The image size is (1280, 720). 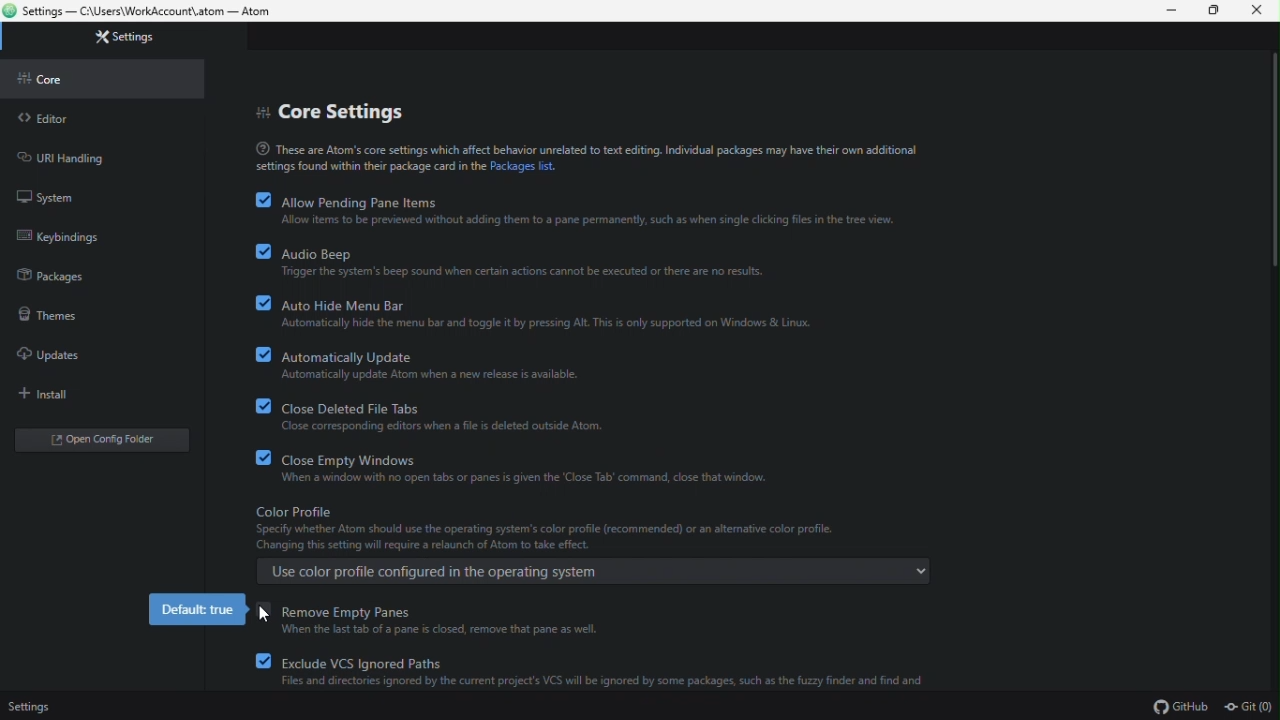 What do you see at coordinates (589, 544) in the screenshot?
I see ` color profile` at bounding box center [589, 544].